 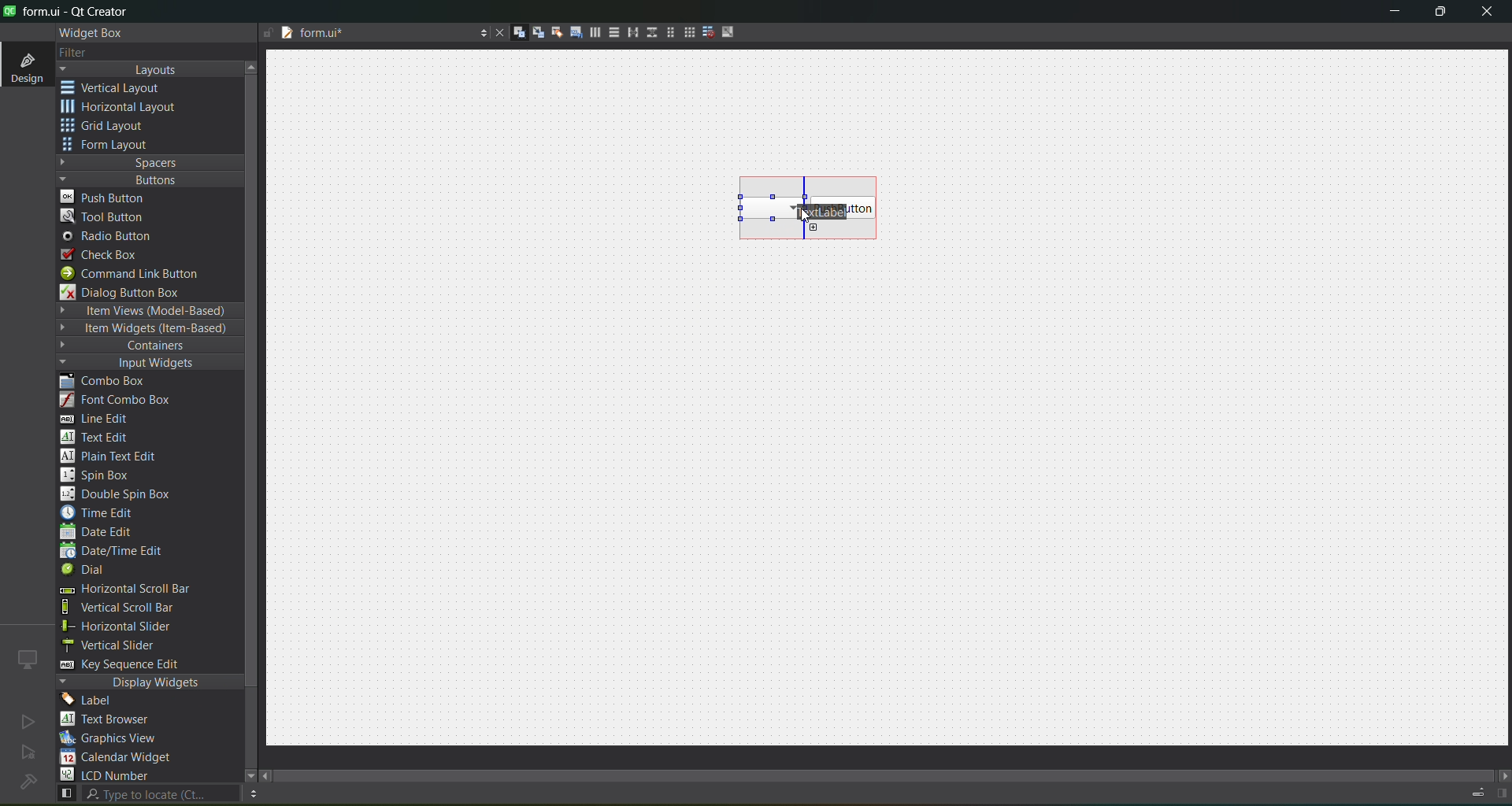 I want to click on layout in a form, so click(x=665, y=32).